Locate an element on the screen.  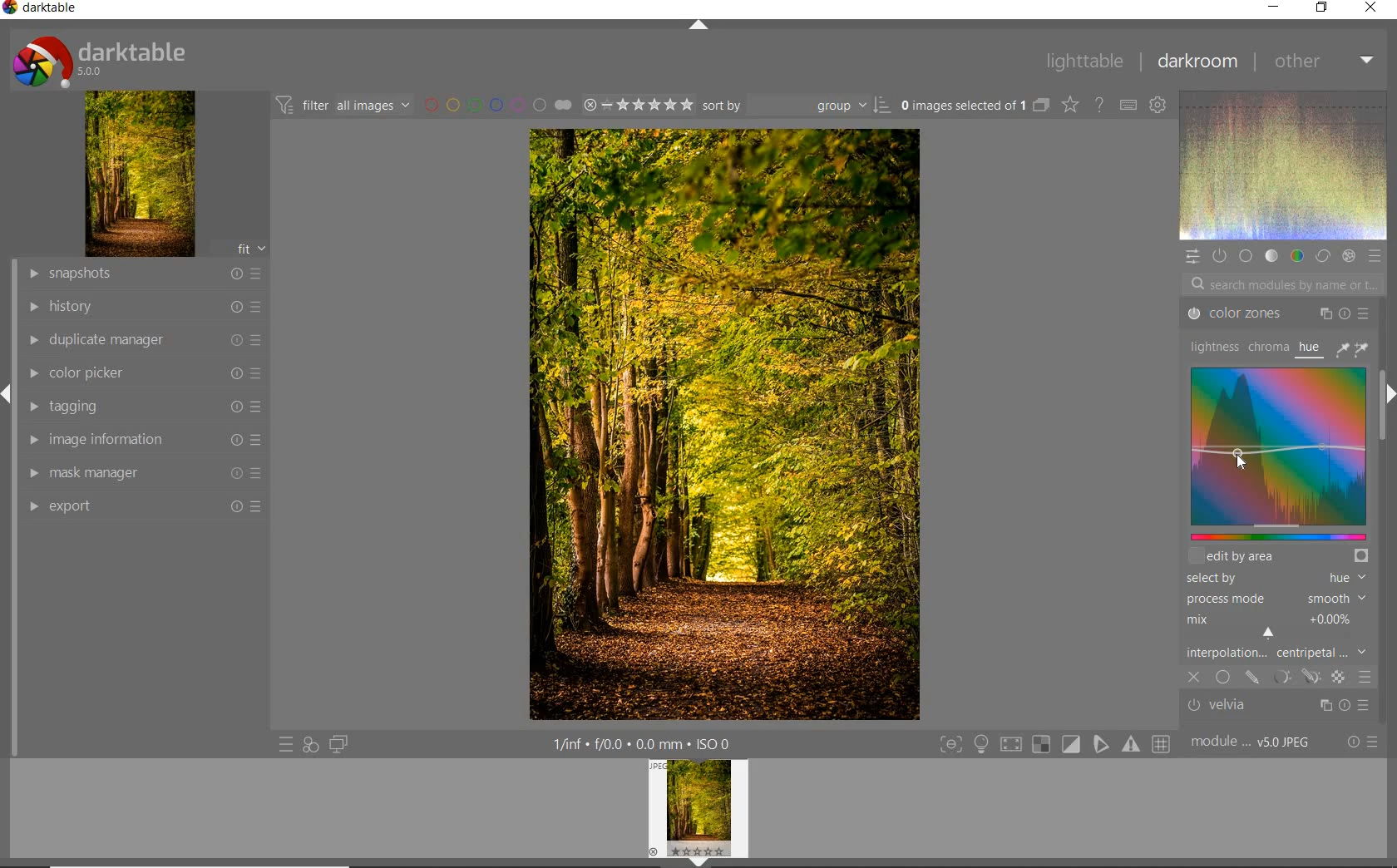
TAGGING is located at coordinates (143, 407).